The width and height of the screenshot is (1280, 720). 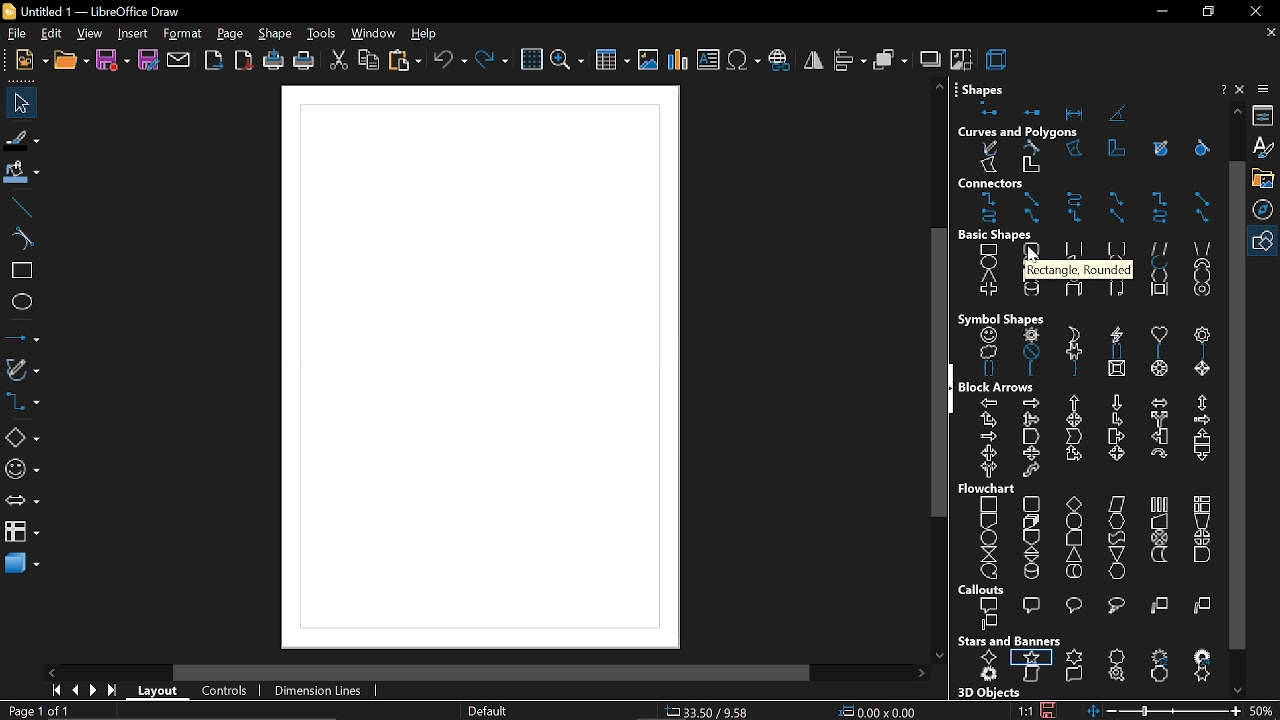 I want to click on 3D objects, so click(x=987, y=693).